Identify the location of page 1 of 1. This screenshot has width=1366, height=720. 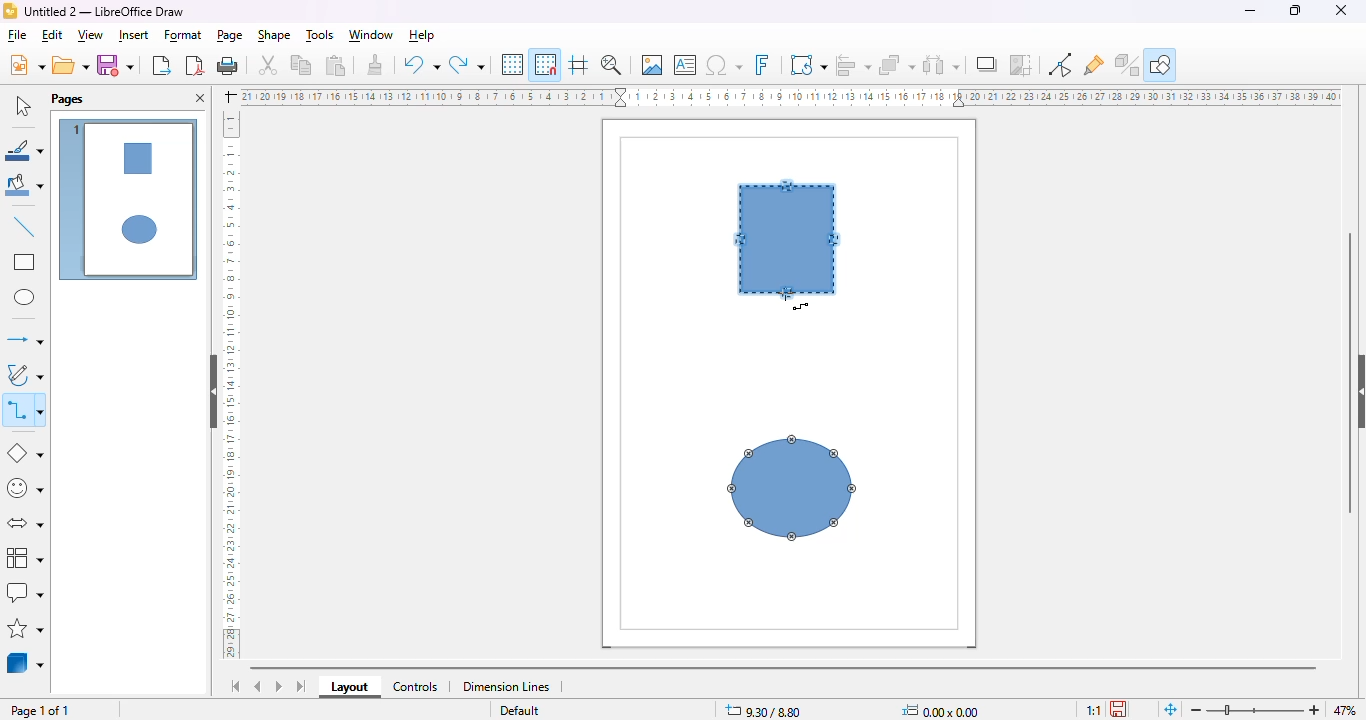
(41, 711).